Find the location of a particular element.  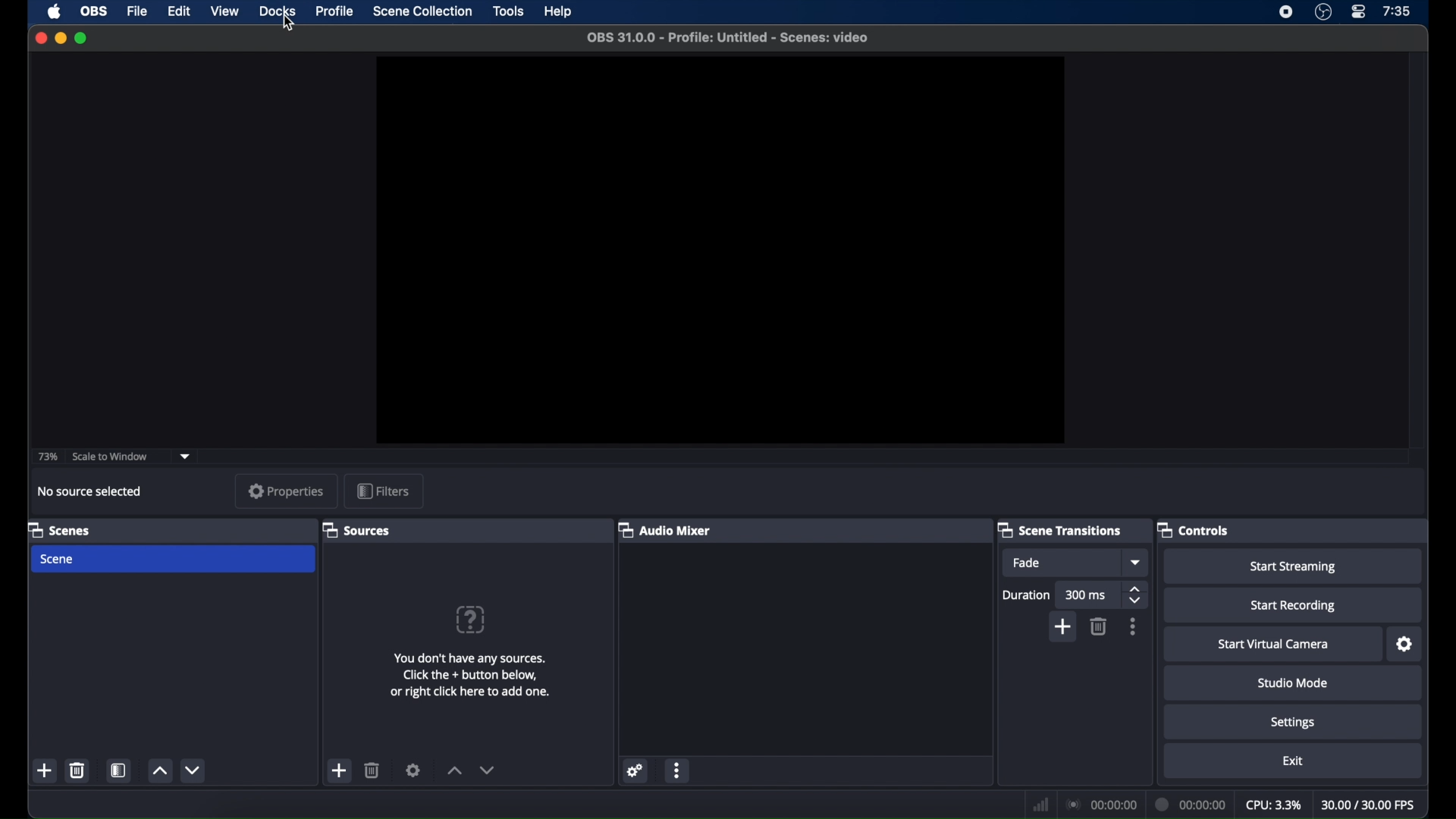

stepper buttons is located at coordinates (1134, 594).